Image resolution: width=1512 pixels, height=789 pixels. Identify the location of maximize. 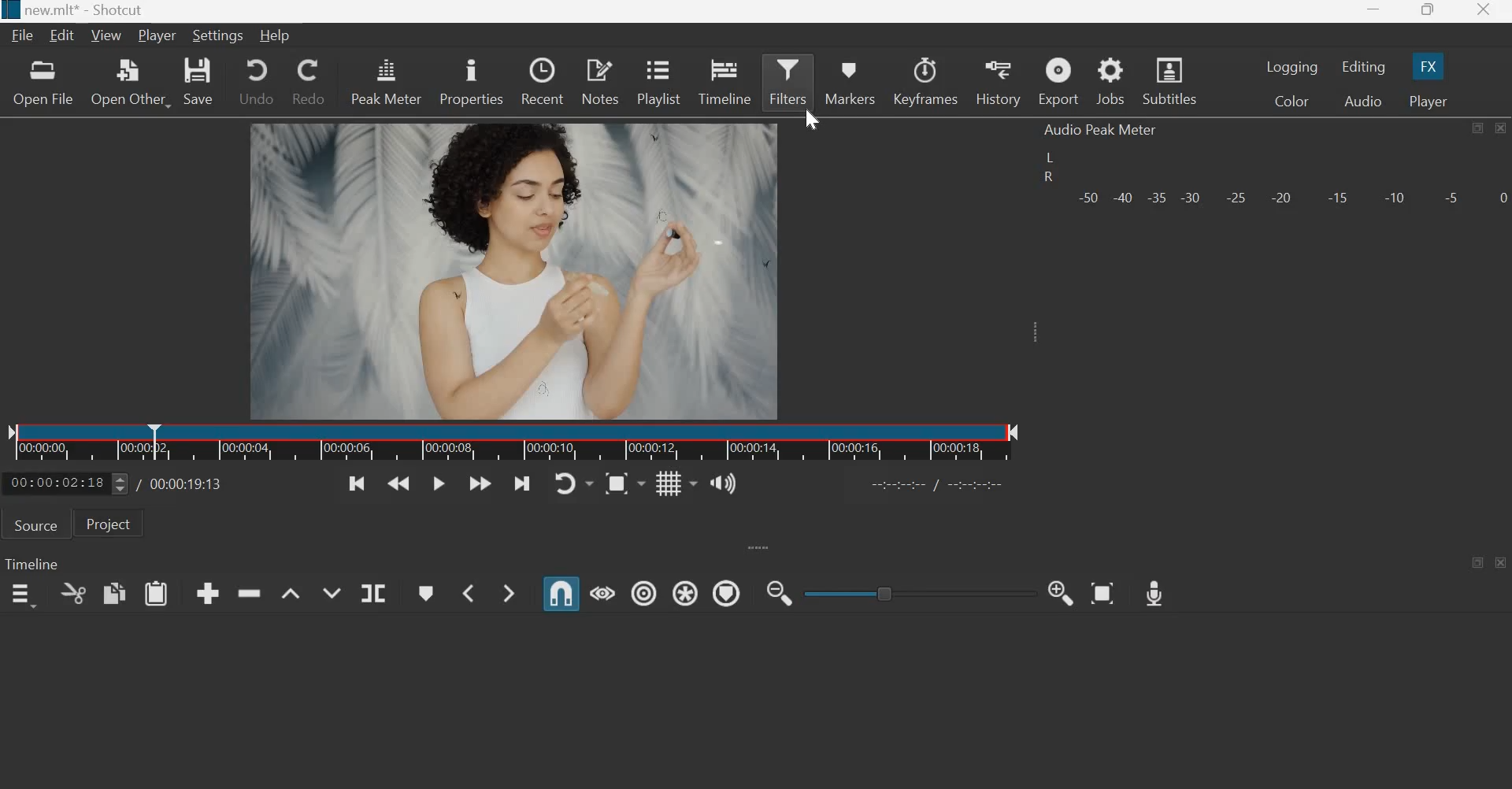
(1478, 563).